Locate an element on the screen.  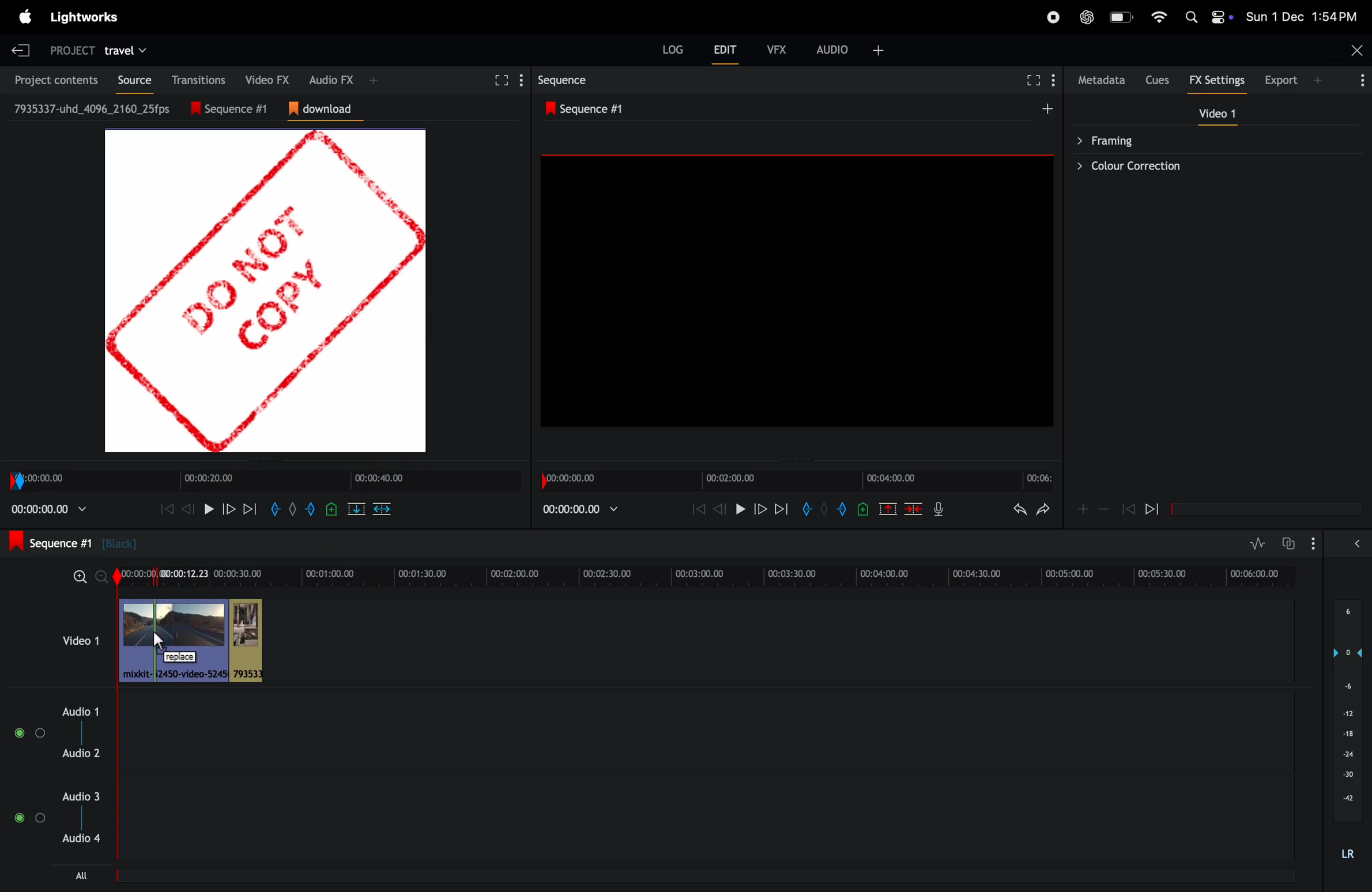
mic is located at coordinates (938, 508).